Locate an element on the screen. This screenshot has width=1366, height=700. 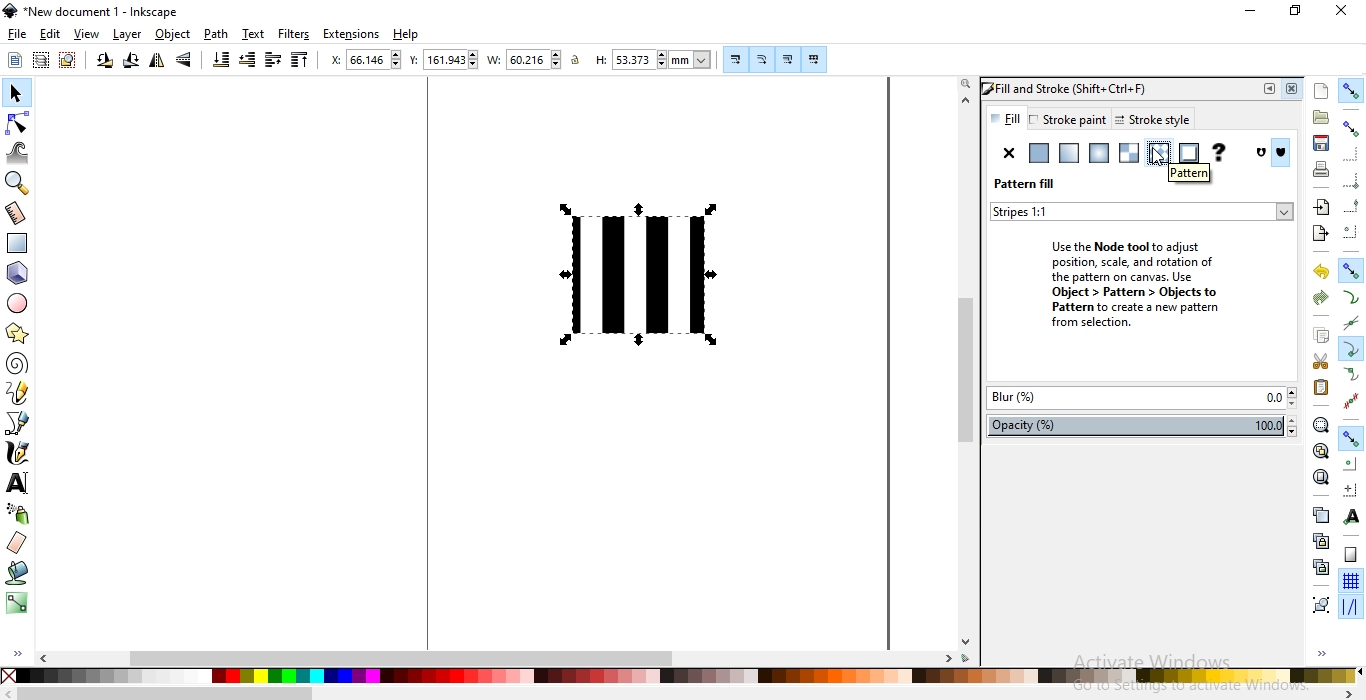
creates circles, arcs and ellipses is located at coordinates (21, 304).